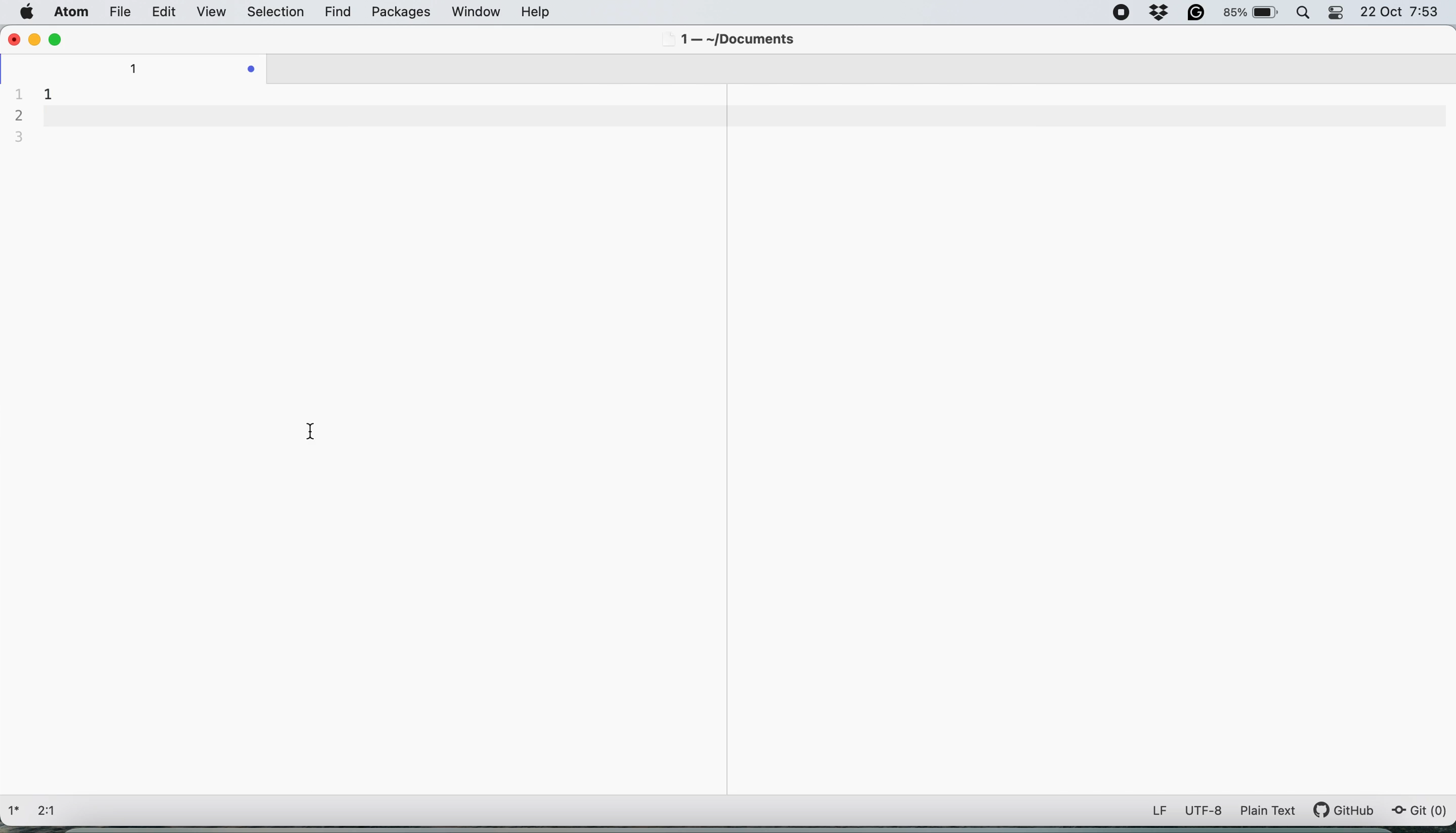 This screenshot has width=1456, height=833. What do you see at coordinates (21, 116) in the screenshot?
I see `line number` at bounding box center [21, 116].